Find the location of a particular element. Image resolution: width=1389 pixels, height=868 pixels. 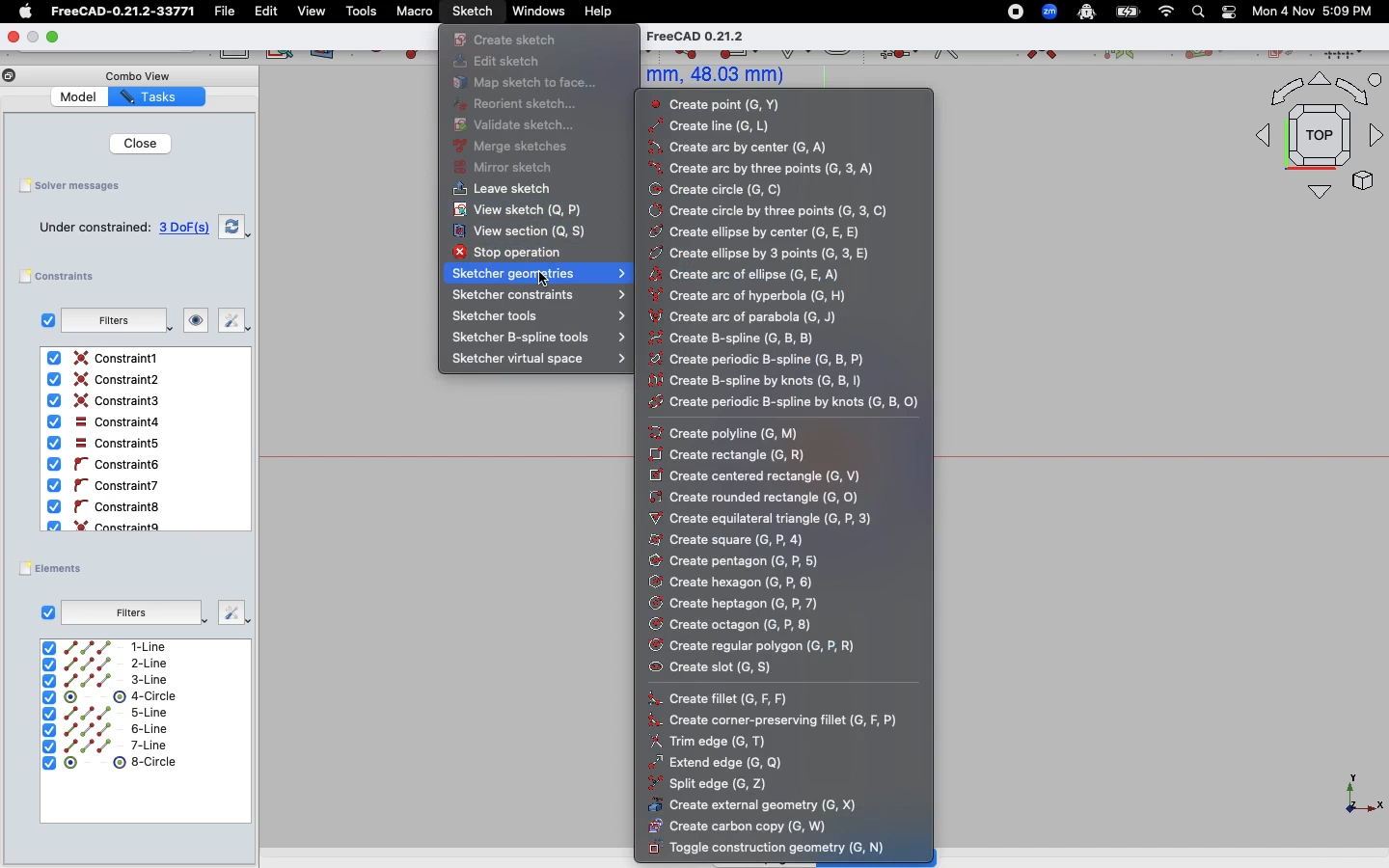

1-Line is located at coordinates (114, 647).